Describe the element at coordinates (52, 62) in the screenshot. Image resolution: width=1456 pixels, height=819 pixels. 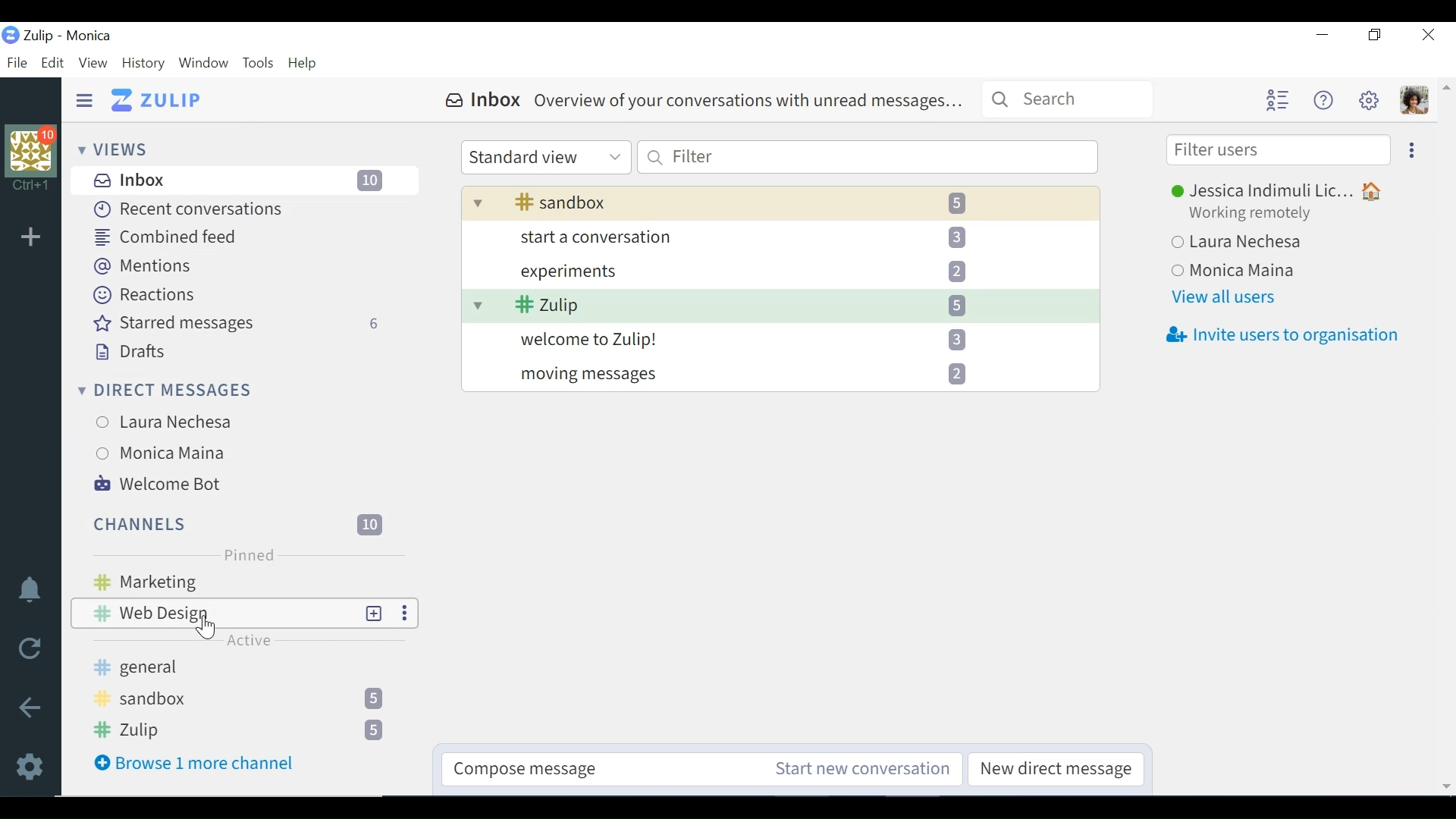
I see `Edit` at that location.